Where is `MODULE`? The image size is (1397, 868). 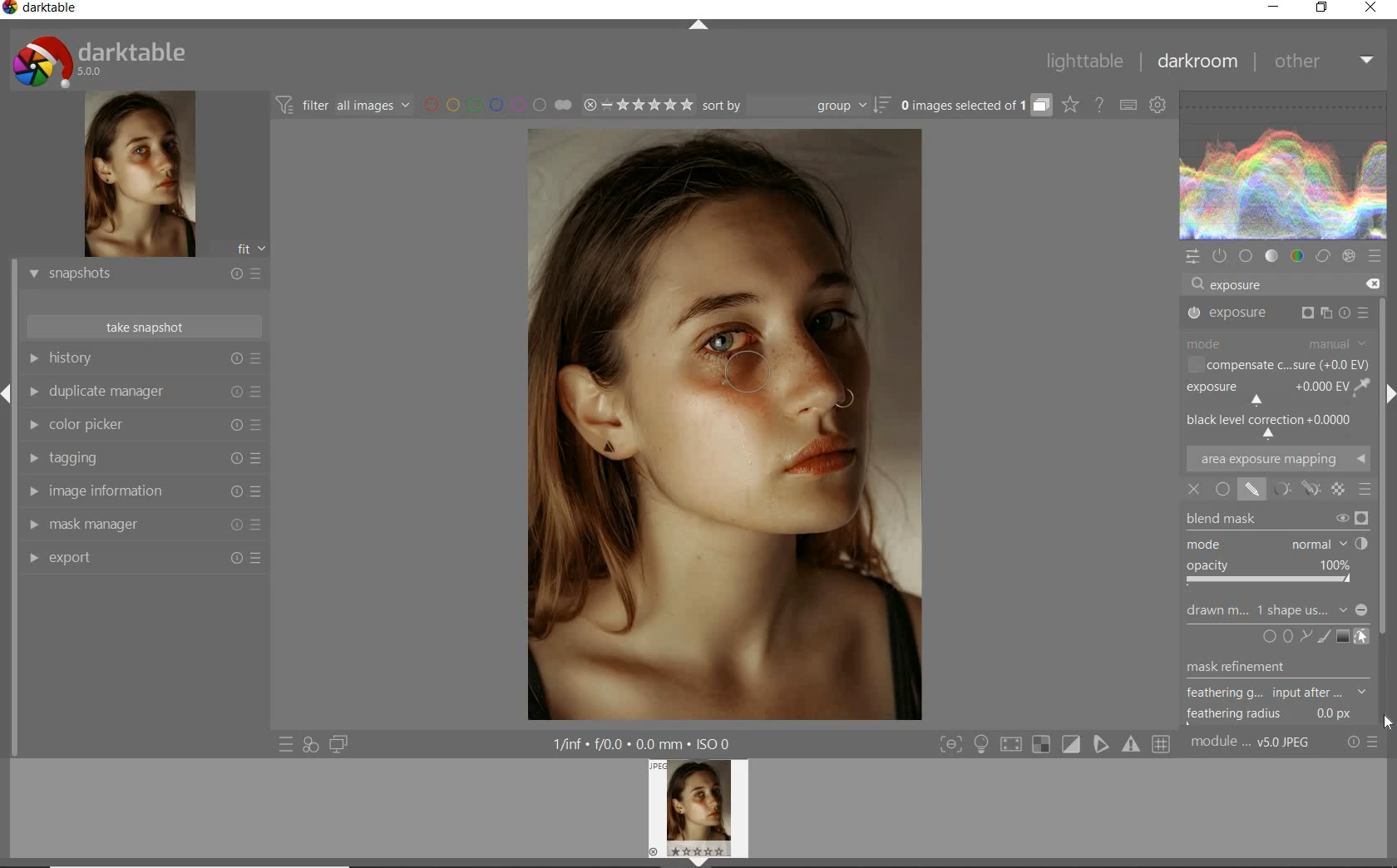
MODULE is located at coordinates (1276, 343).